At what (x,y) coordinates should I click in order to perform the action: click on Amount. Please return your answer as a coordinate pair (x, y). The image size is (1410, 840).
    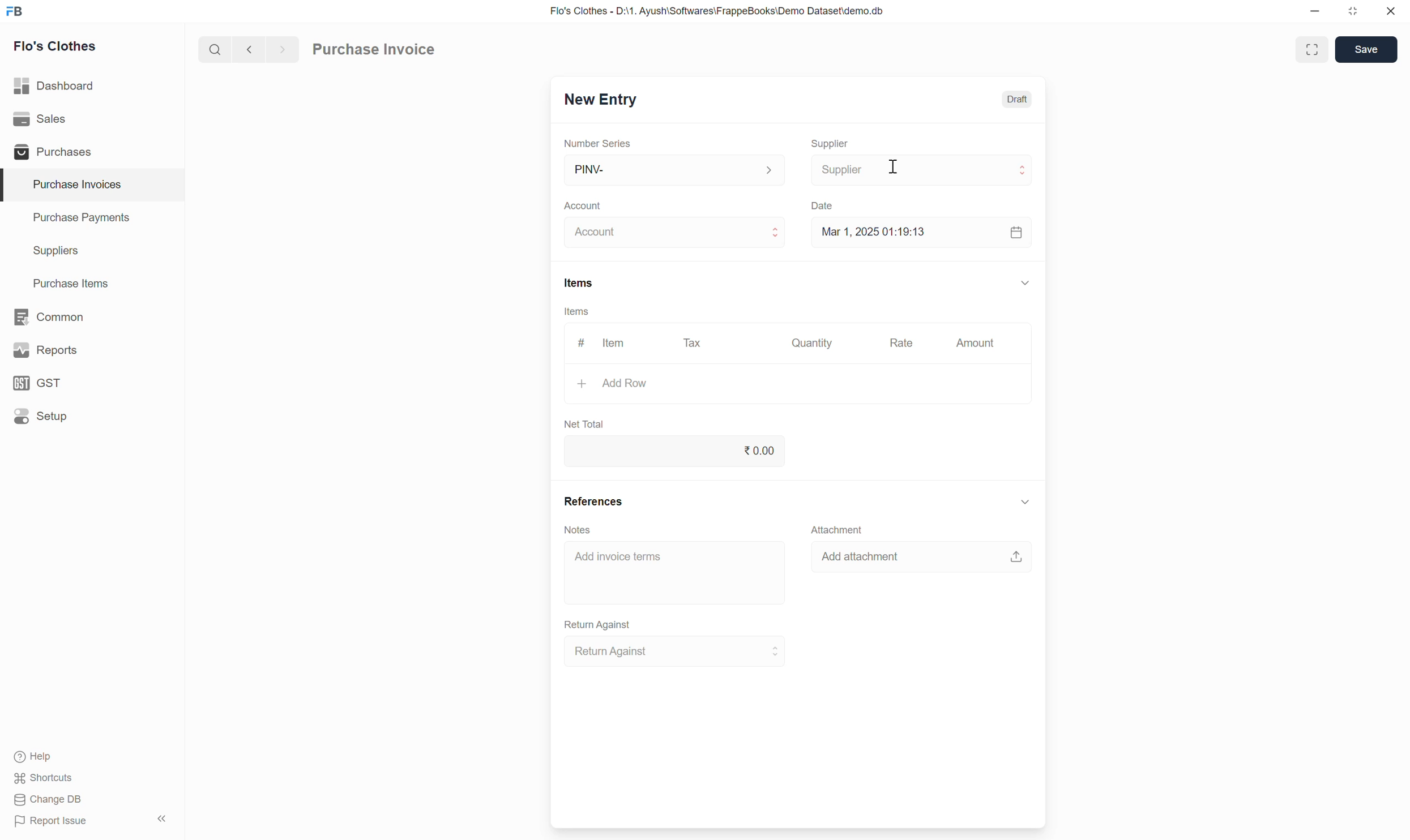
    Looking at the image, I should click on (973, 345).